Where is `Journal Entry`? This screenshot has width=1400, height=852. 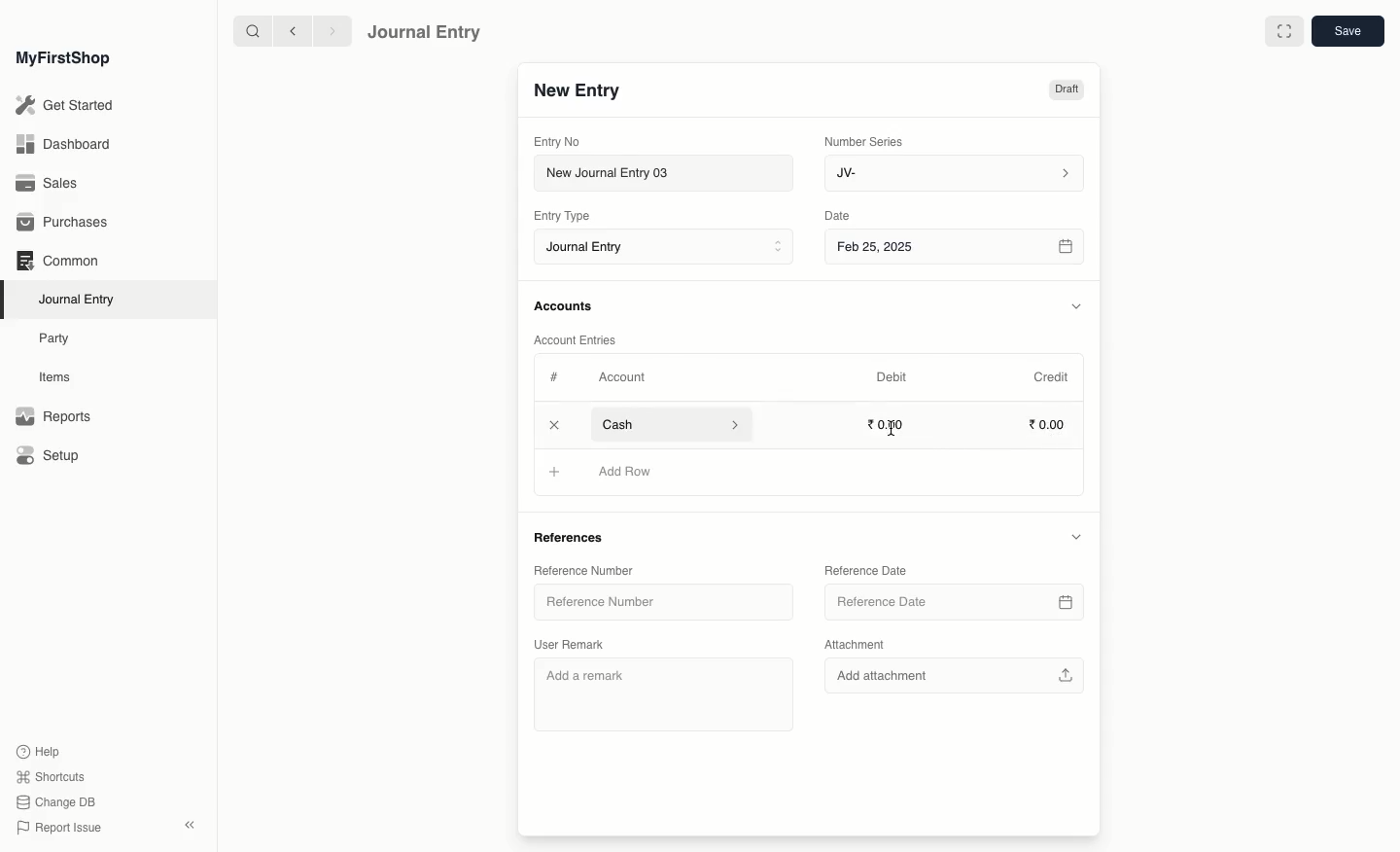
Journal Entry is located at coordinates (669, 248).